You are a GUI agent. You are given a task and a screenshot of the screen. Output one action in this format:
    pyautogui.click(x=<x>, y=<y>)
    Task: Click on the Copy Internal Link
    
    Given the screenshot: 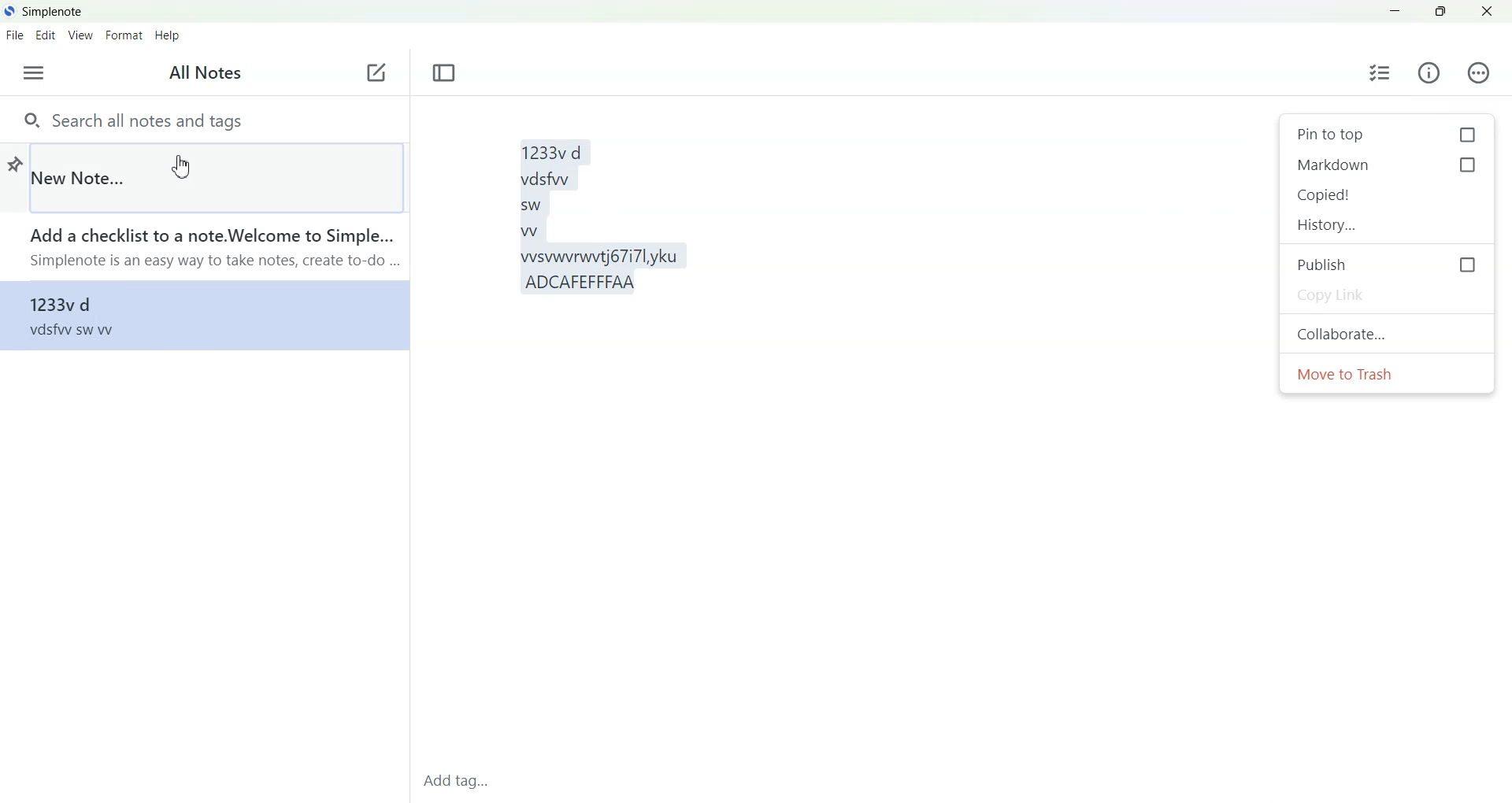 What is the action you would take?
    pyautogui.click(x=1389, y=195)
    